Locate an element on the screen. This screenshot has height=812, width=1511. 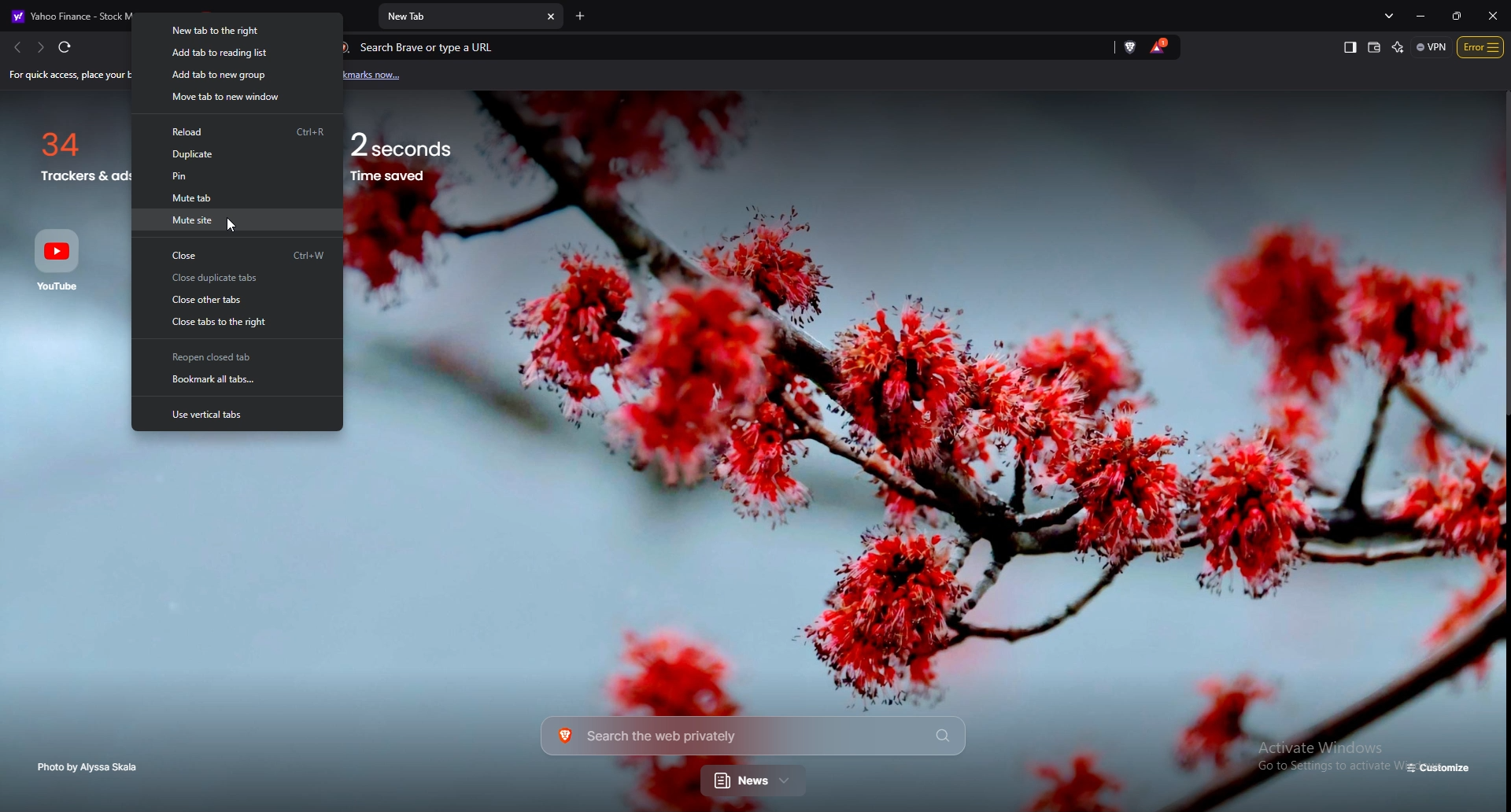
back is located at coordinates (15, 47).